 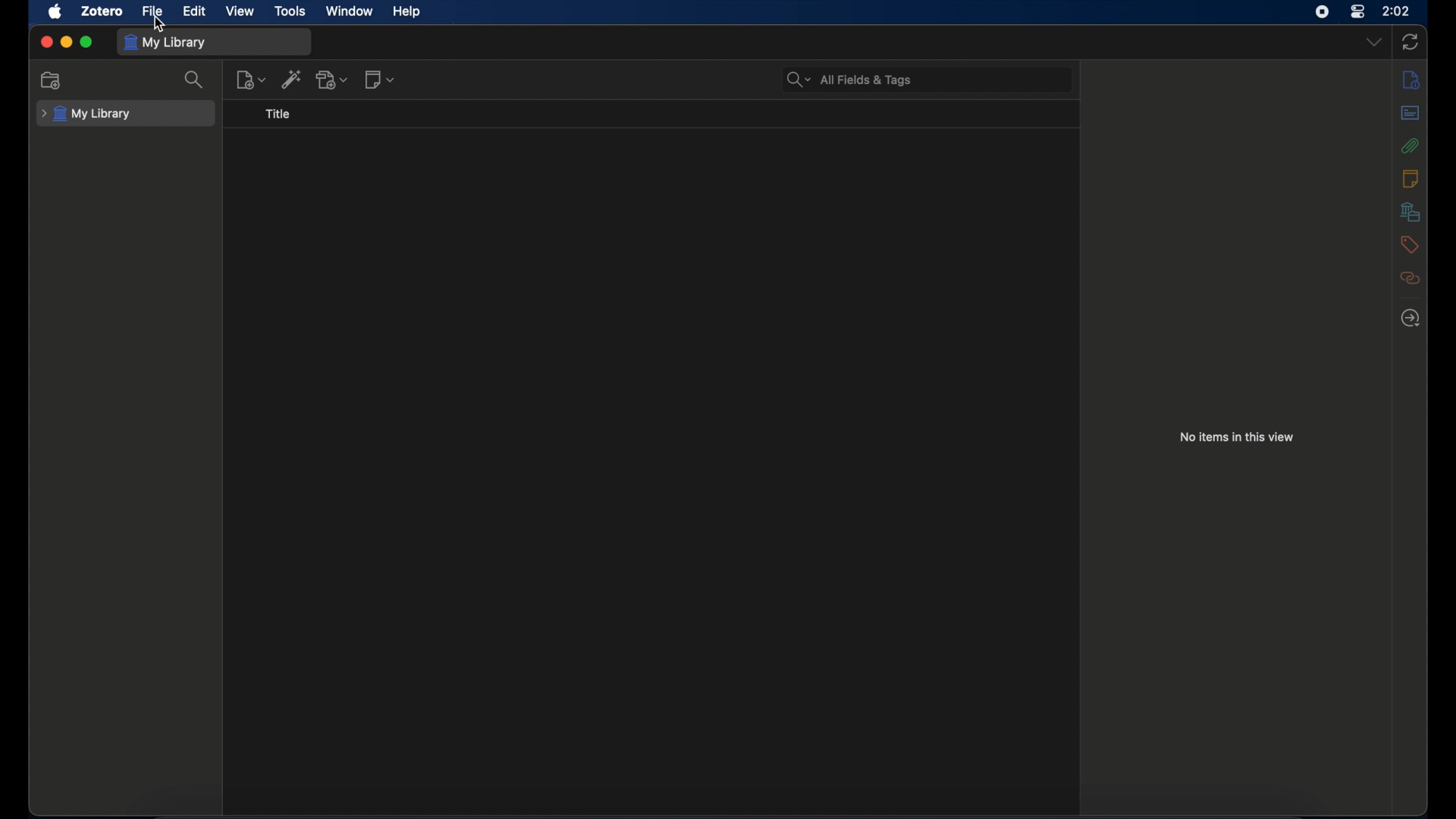 What do you see at coordinates (1410, 180) in the screenshot?
I see `notes` at bounding box center [1410, 180].